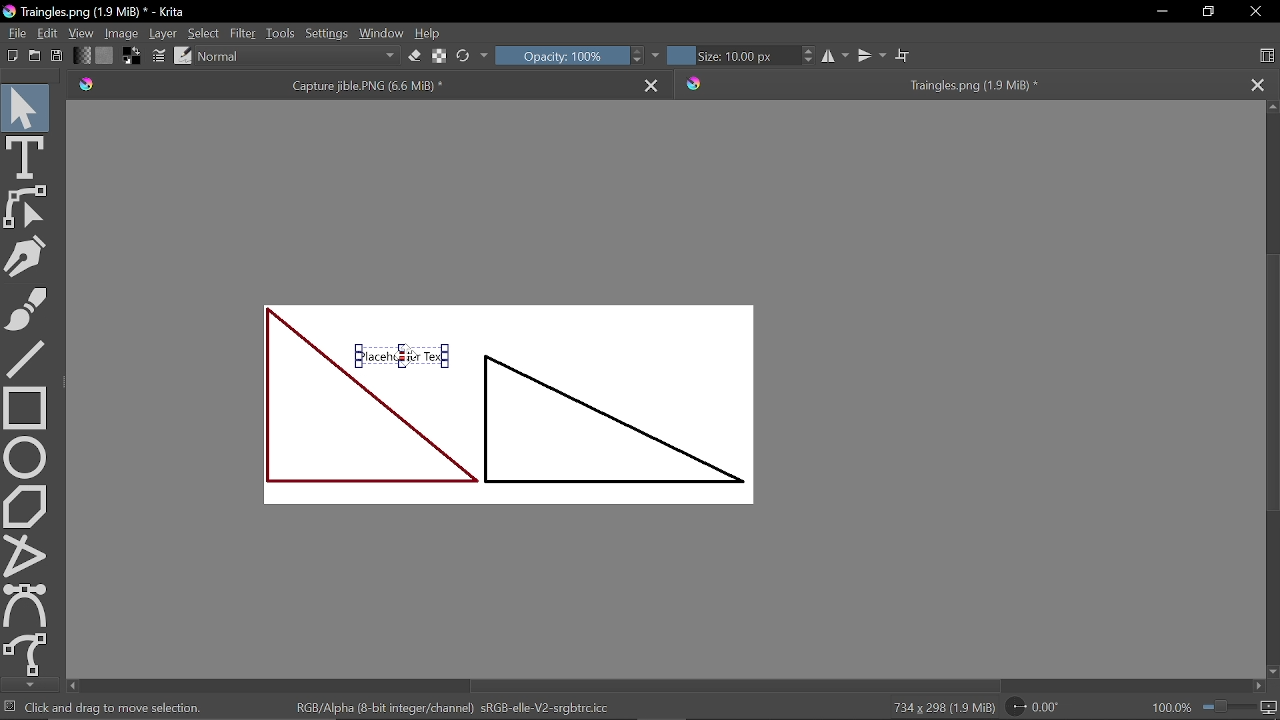 The width and height of the screenshot is (1280, 720). I want to click on Select, so click(203, 33).